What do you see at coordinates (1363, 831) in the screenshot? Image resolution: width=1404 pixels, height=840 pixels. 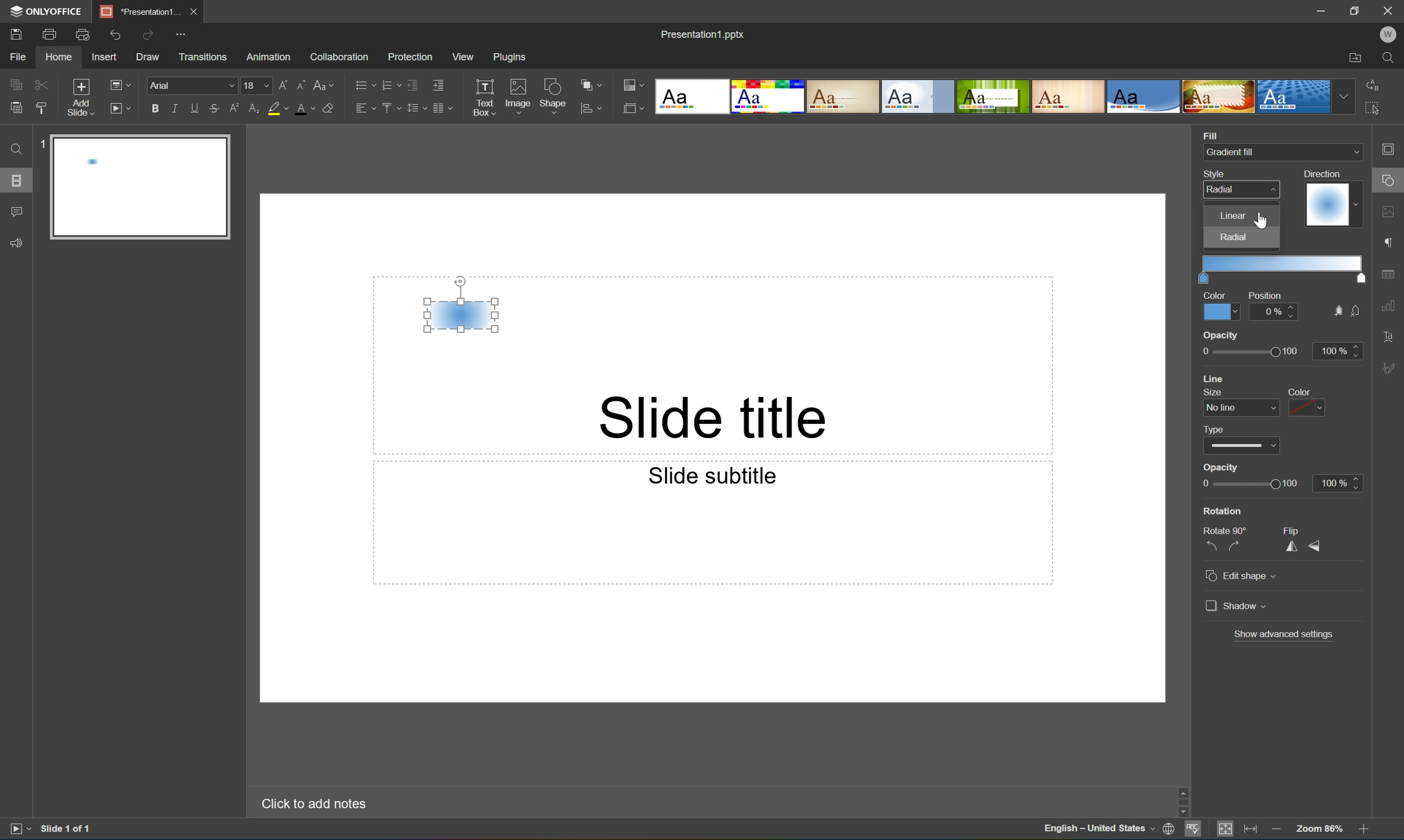 I see `Zoom In` at bounding box center [1363, 831].